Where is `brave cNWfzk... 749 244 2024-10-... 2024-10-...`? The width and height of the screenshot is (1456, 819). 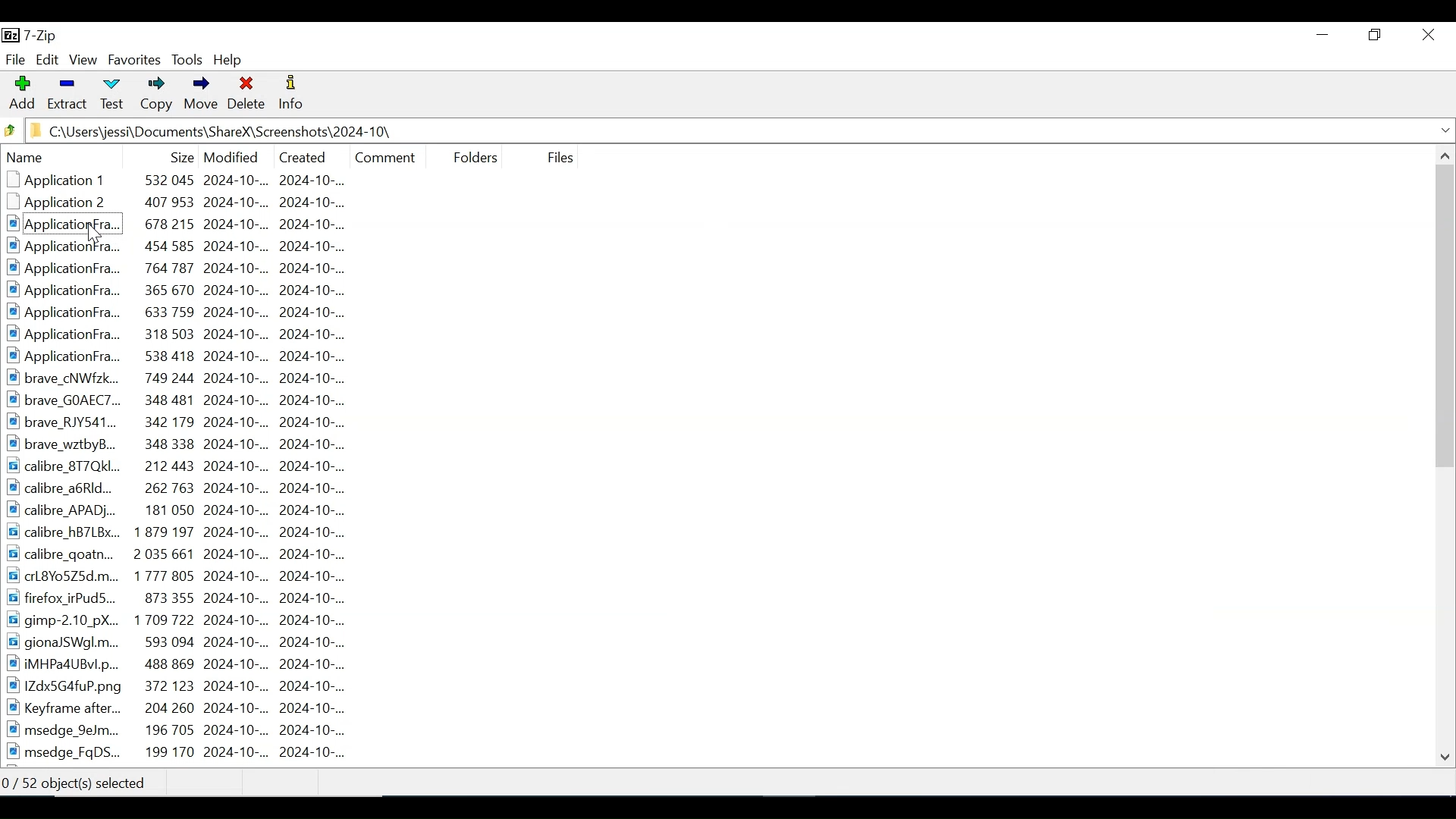 brave cNWfzk... 749 244 2024-10-... 2024-10-... is located at coordinates (187, 378).